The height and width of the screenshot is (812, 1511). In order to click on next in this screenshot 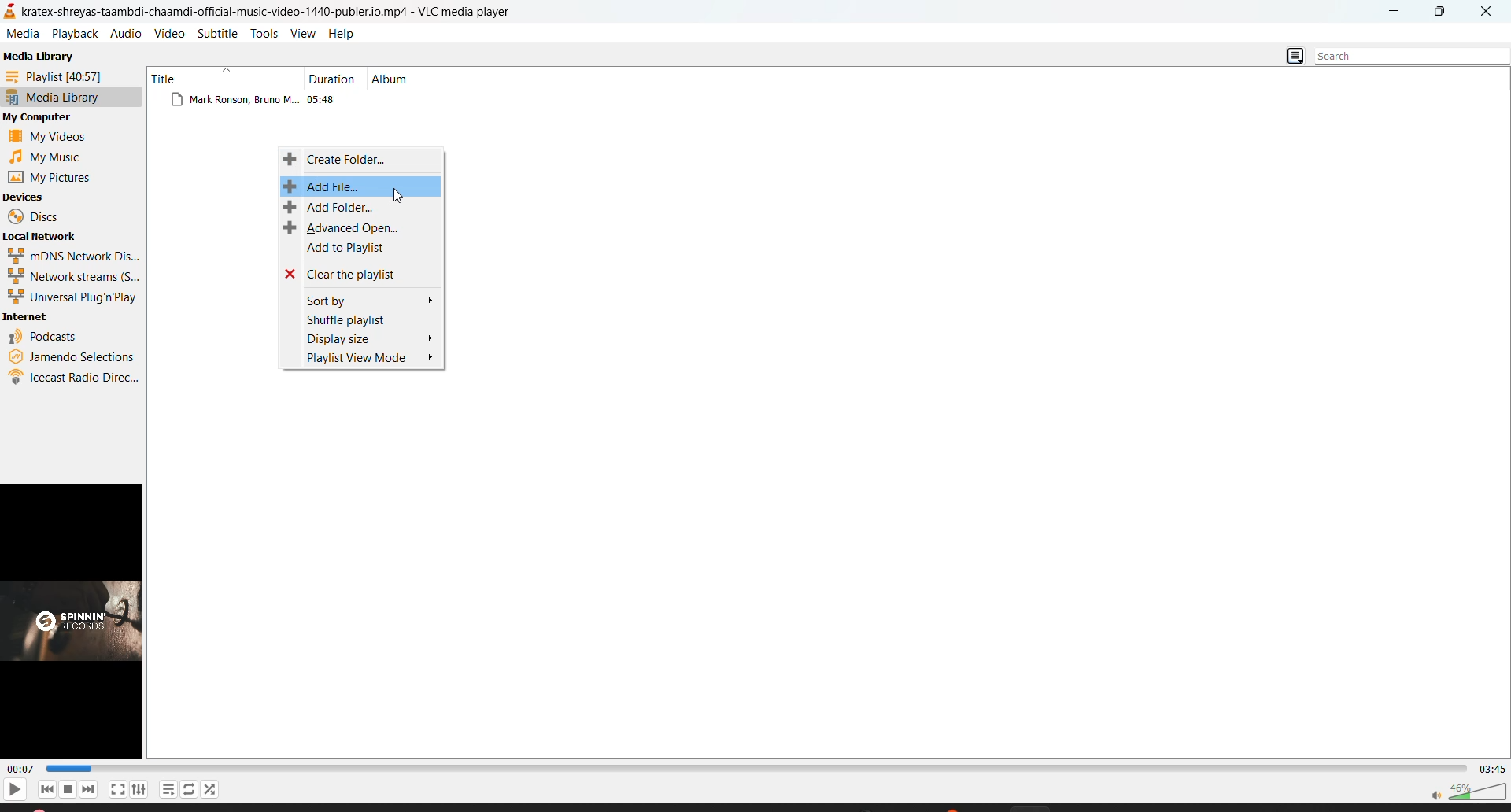, I will do `click(89, 788)`.